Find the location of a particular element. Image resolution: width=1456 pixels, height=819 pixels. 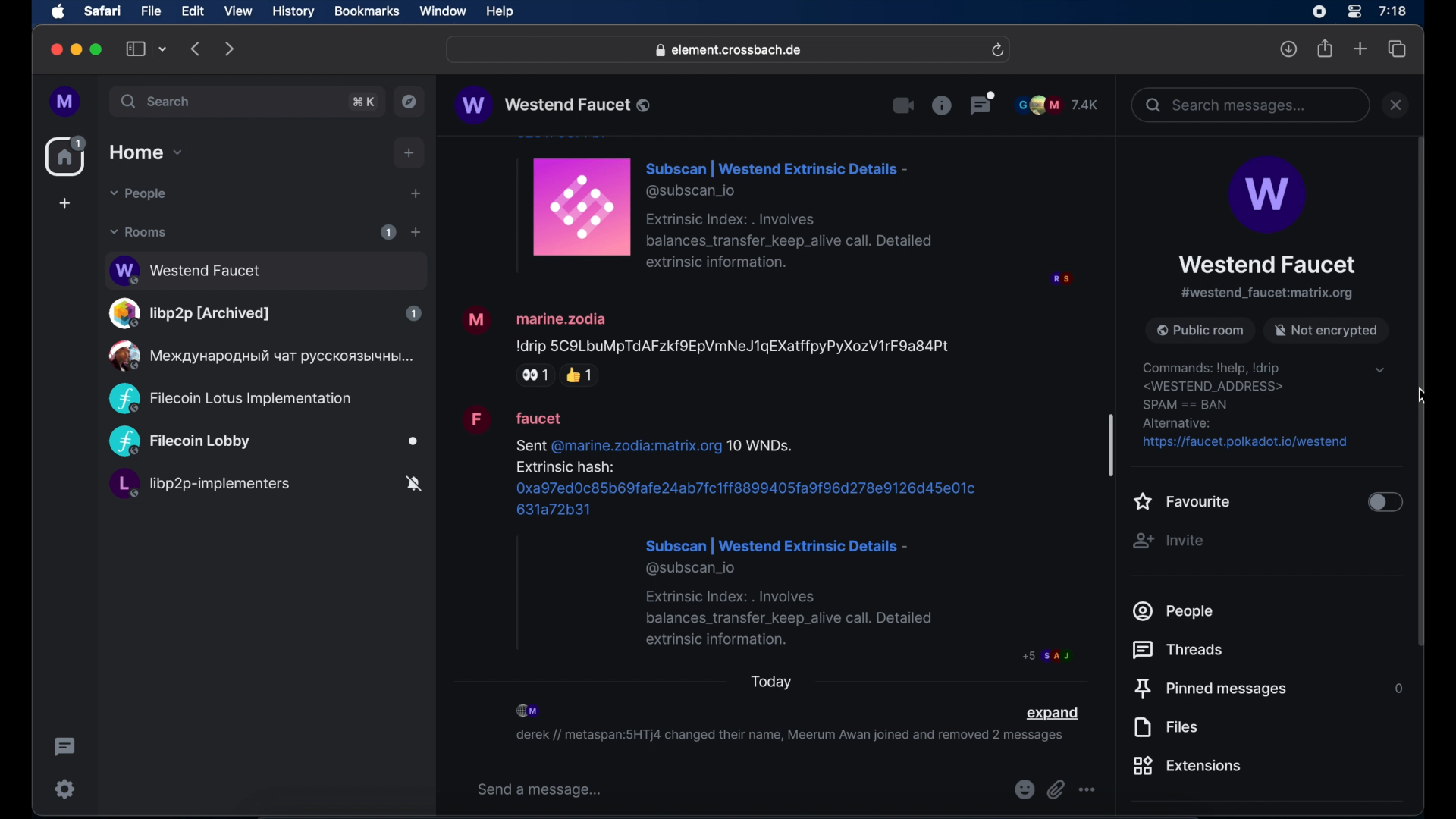

public room is located at coordinates (264, 442).